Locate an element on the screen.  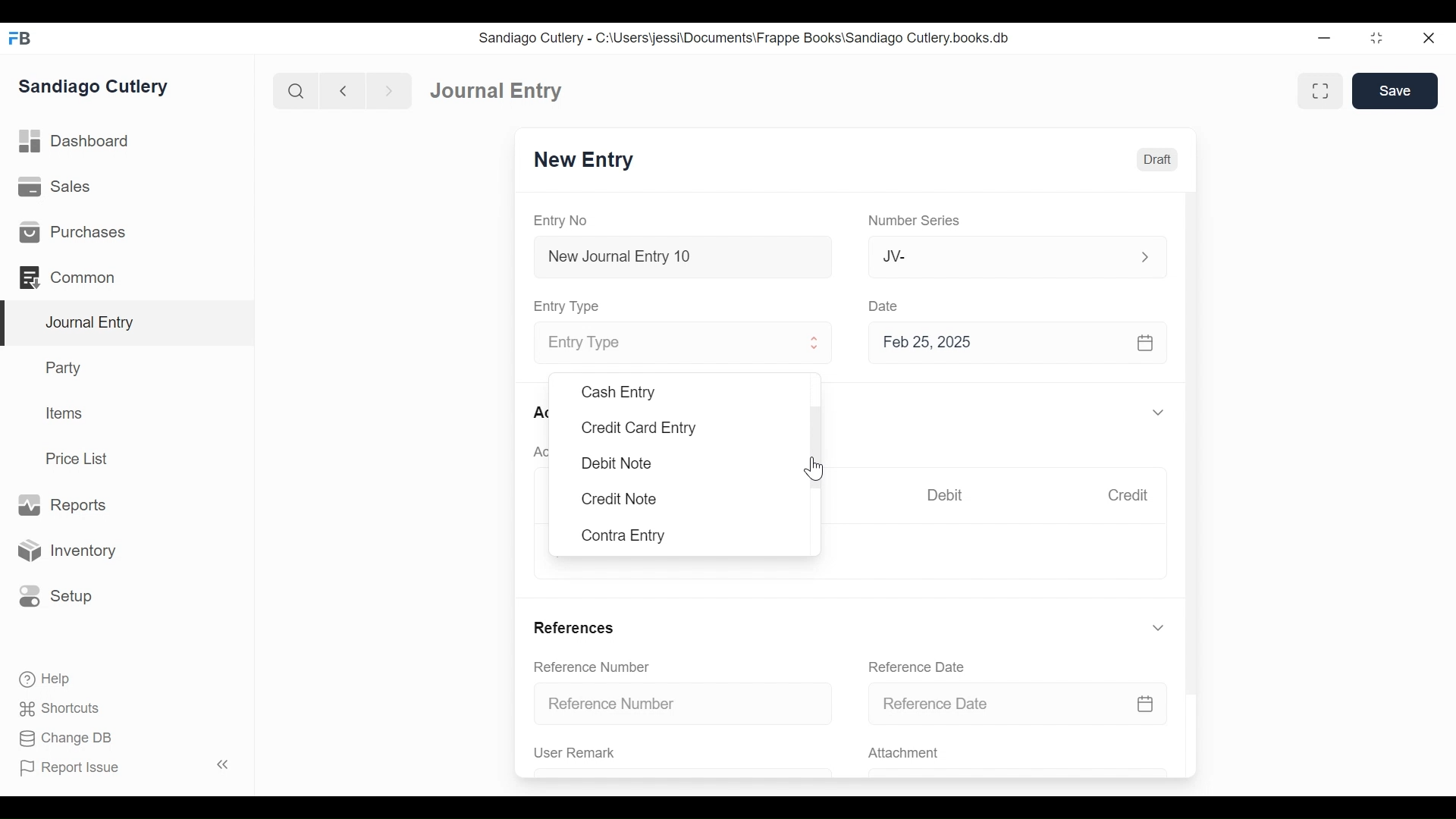
Items is located at coordinates (66, 415).